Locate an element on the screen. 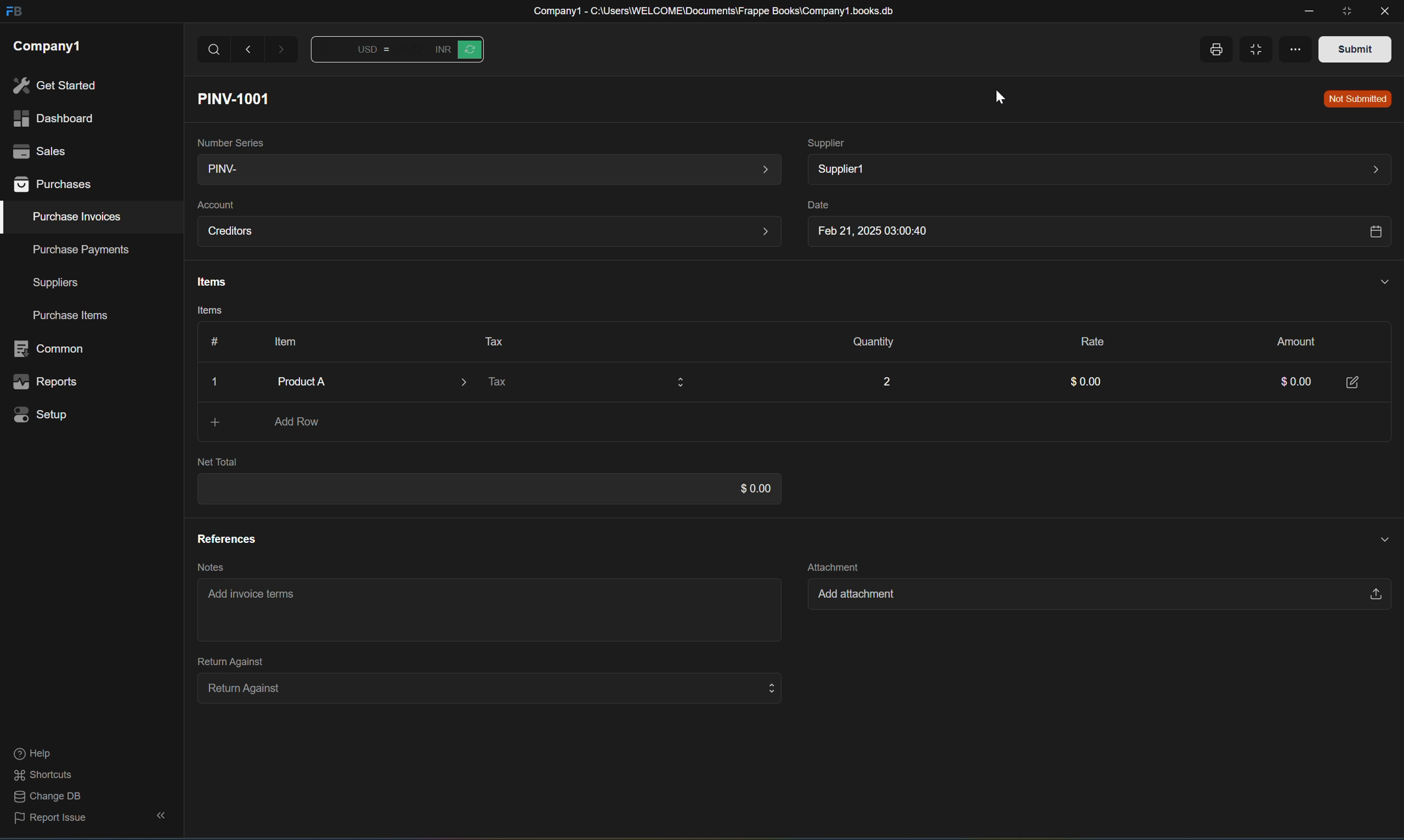 This screenshot has height=840, width=1404. More options is located at coordinates (1303, 47).